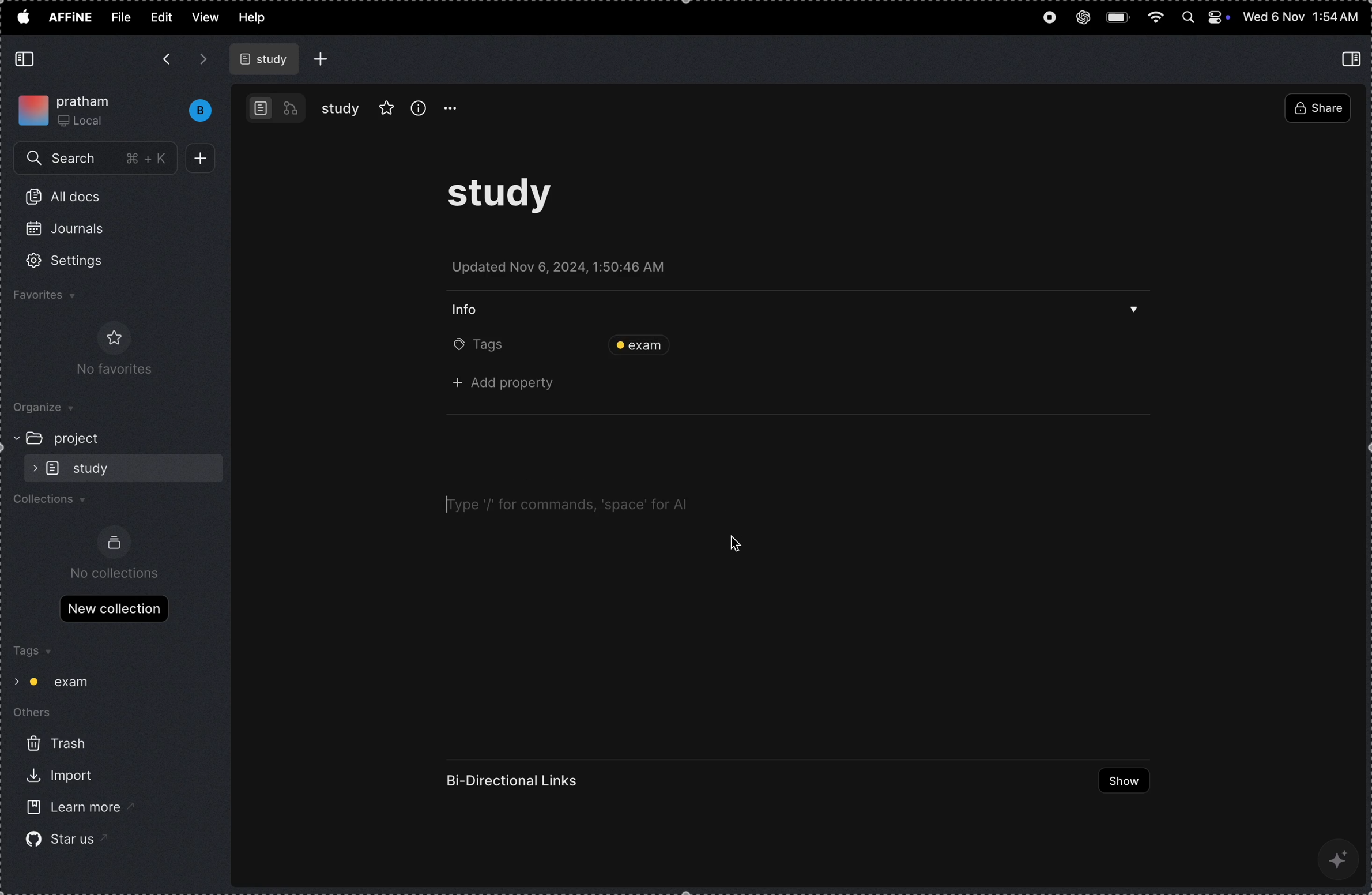  I want to click on ai, so click(1340, 858).